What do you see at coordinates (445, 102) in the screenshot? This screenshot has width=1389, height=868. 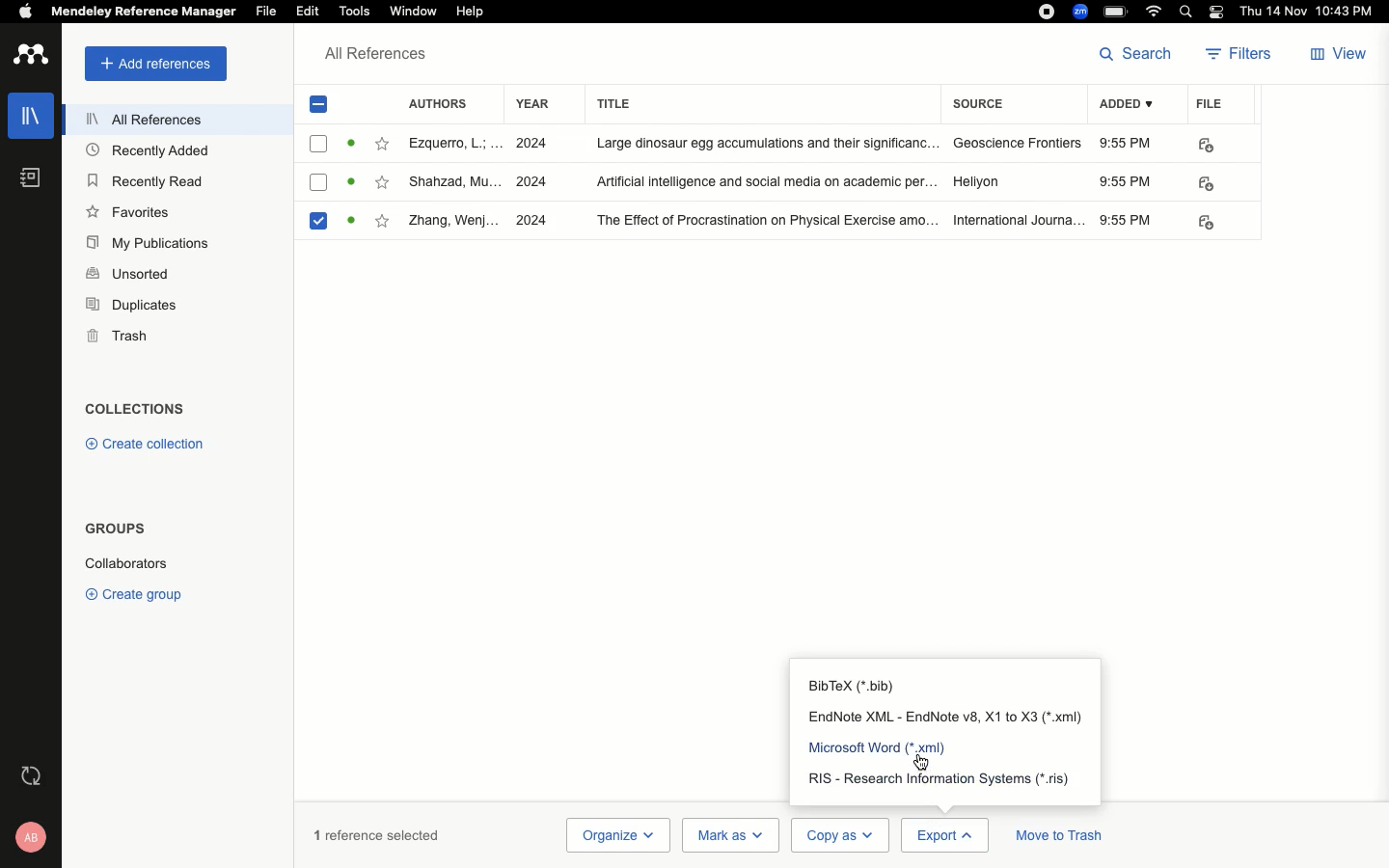 I see `Authors` at bounding box center [445, 102].